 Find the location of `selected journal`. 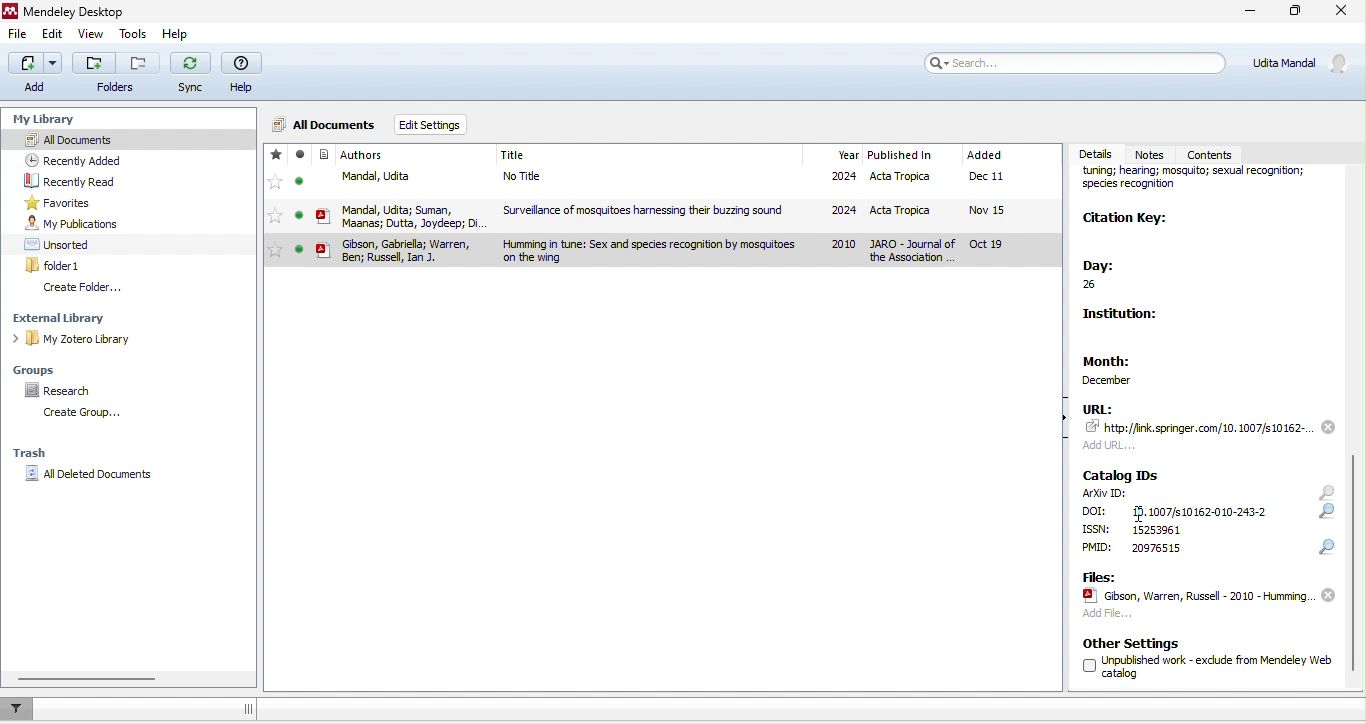

selected journal is located at coordinates (661, 251).